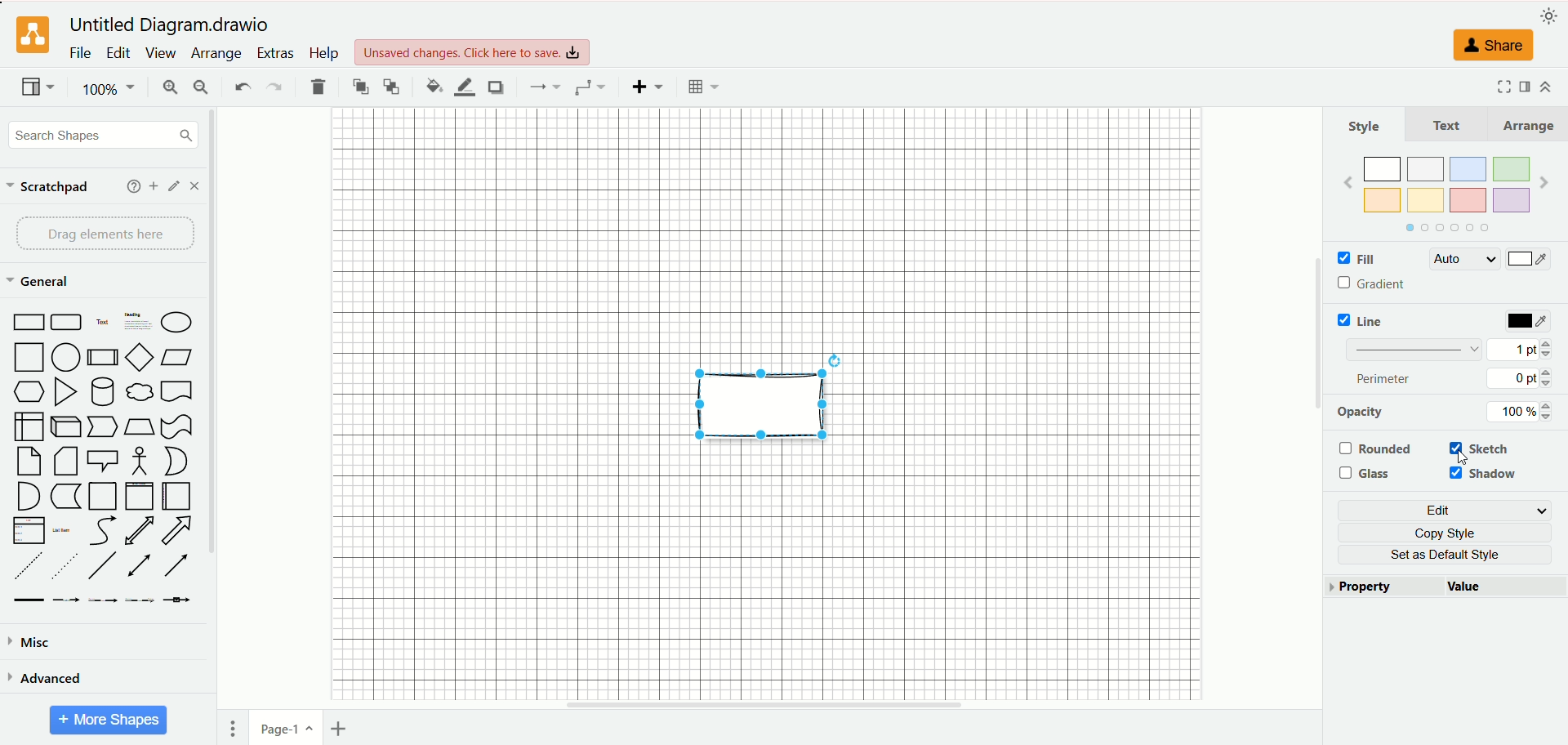 This screenshot has width=1568, height=745. I want to click on property, so click(1384, 587).